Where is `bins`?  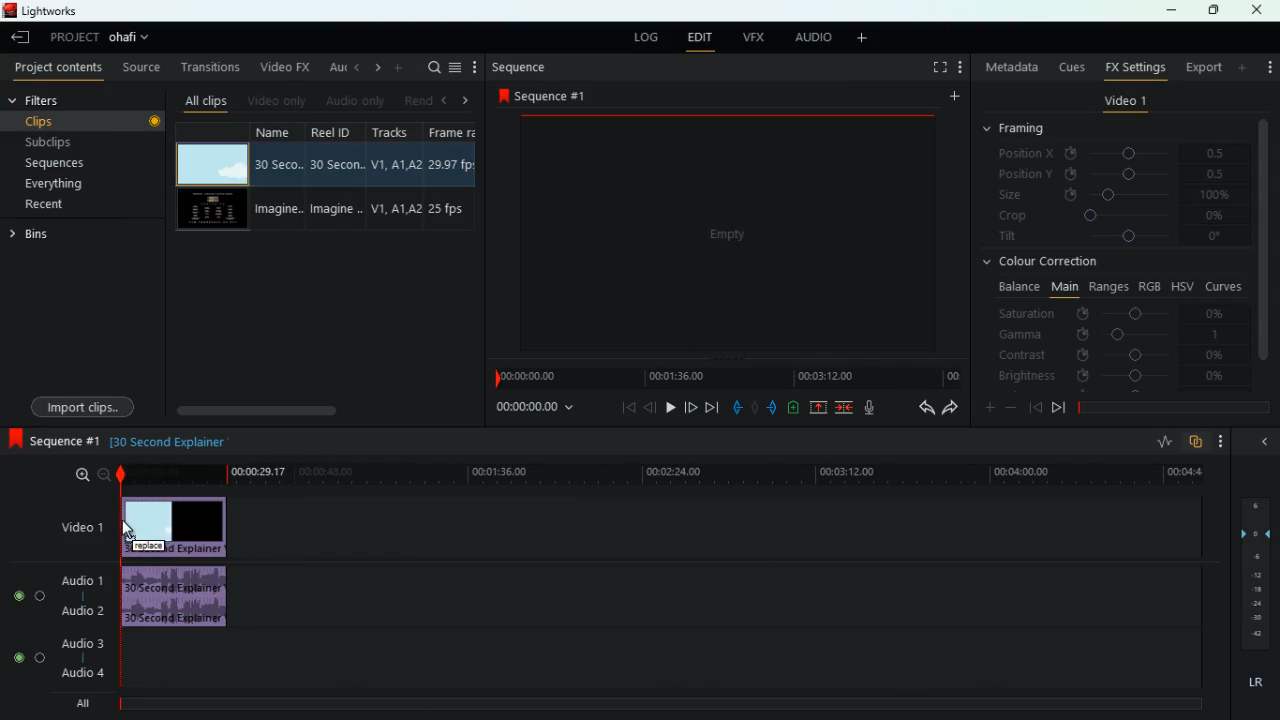 bins is located at coordinates (33, 237).